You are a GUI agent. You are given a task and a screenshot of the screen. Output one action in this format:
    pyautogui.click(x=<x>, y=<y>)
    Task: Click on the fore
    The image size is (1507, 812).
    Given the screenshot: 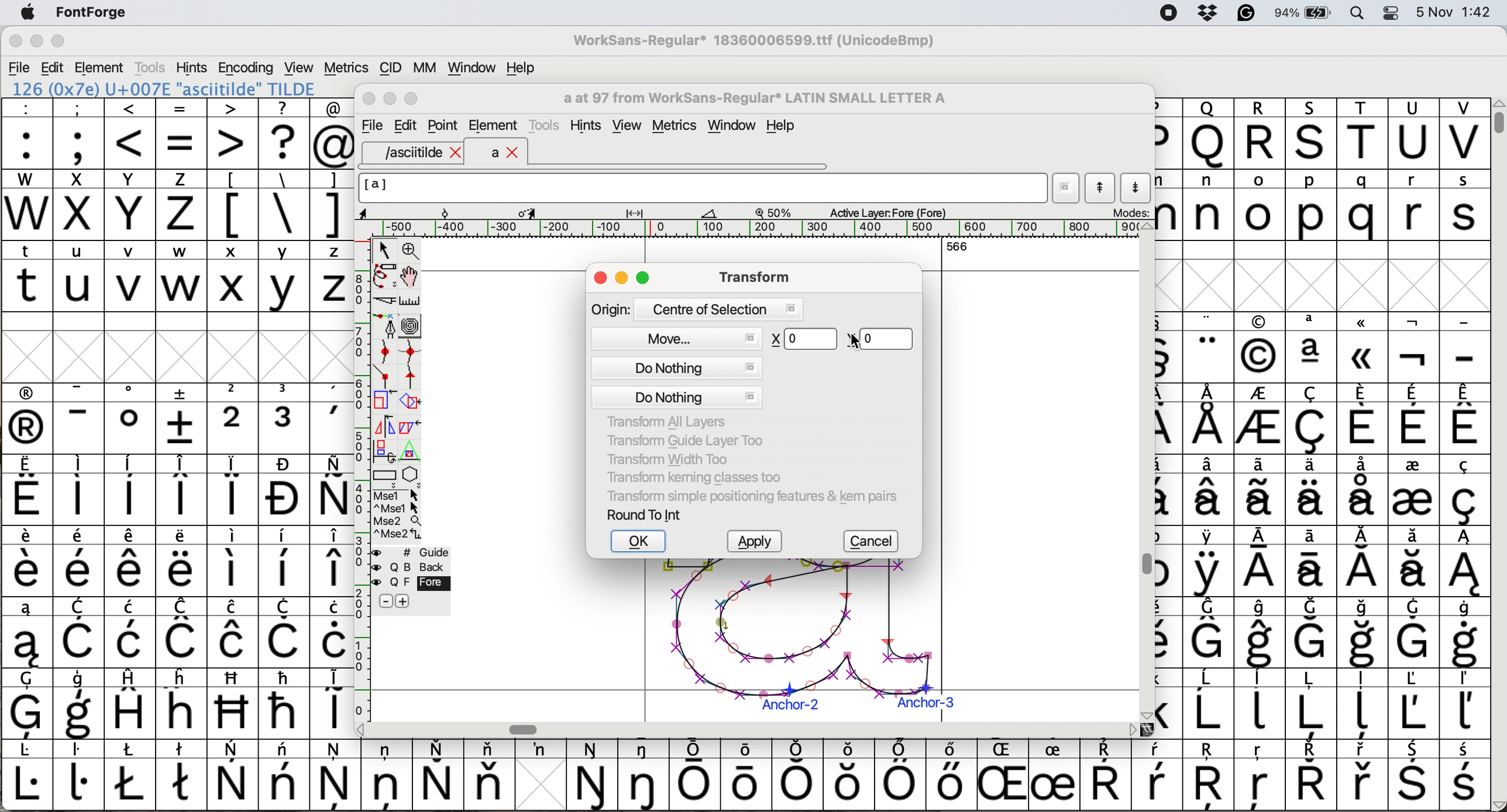 What is the action you would take?
    pyautogui.click(x=412, y=583)
    